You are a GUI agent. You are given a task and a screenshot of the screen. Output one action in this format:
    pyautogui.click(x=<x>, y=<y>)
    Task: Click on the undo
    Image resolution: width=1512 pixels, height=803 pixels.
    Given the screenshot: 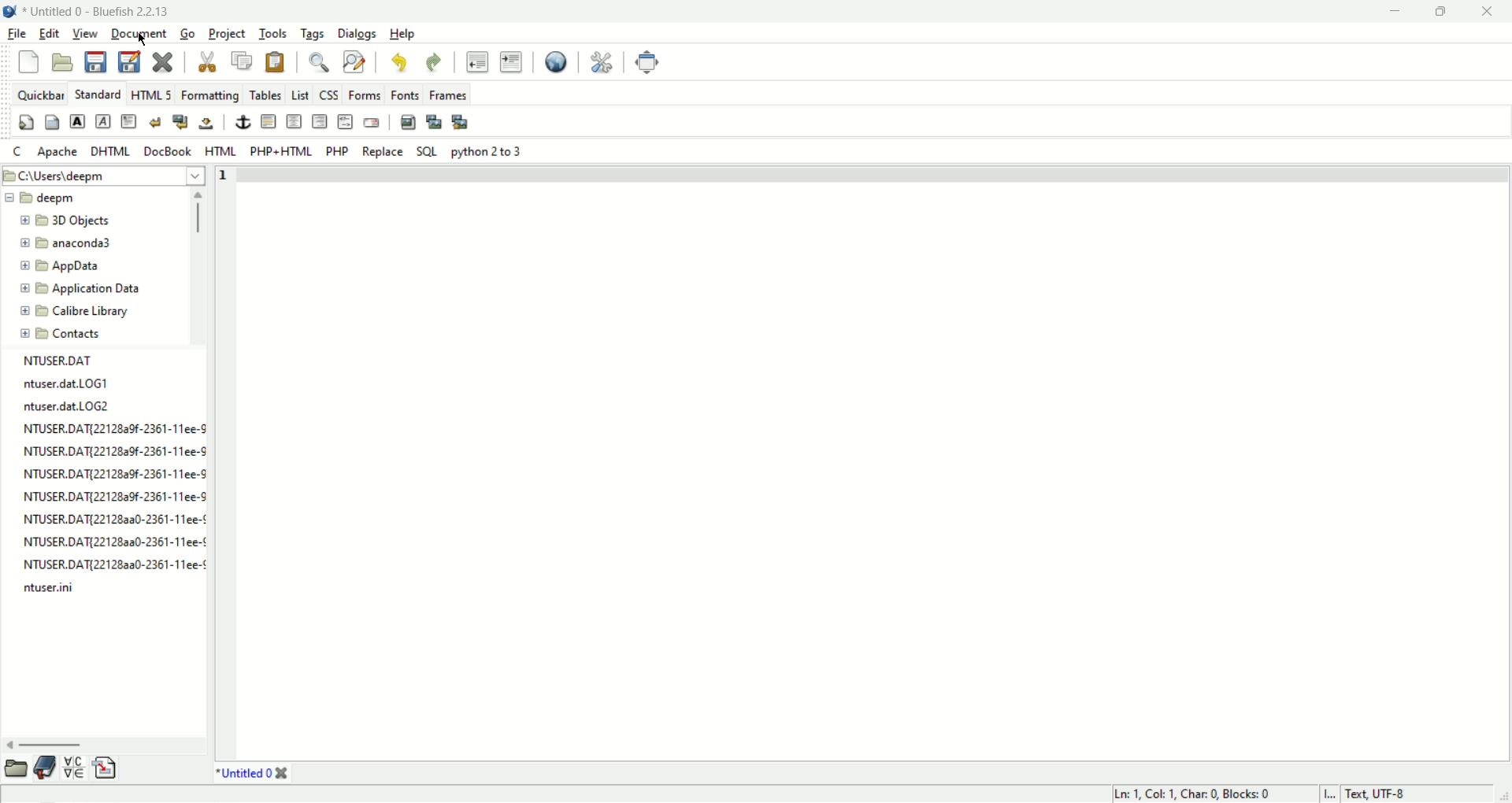 What is the action you would take?
    pyautogui.click(x=401, y=62)
    